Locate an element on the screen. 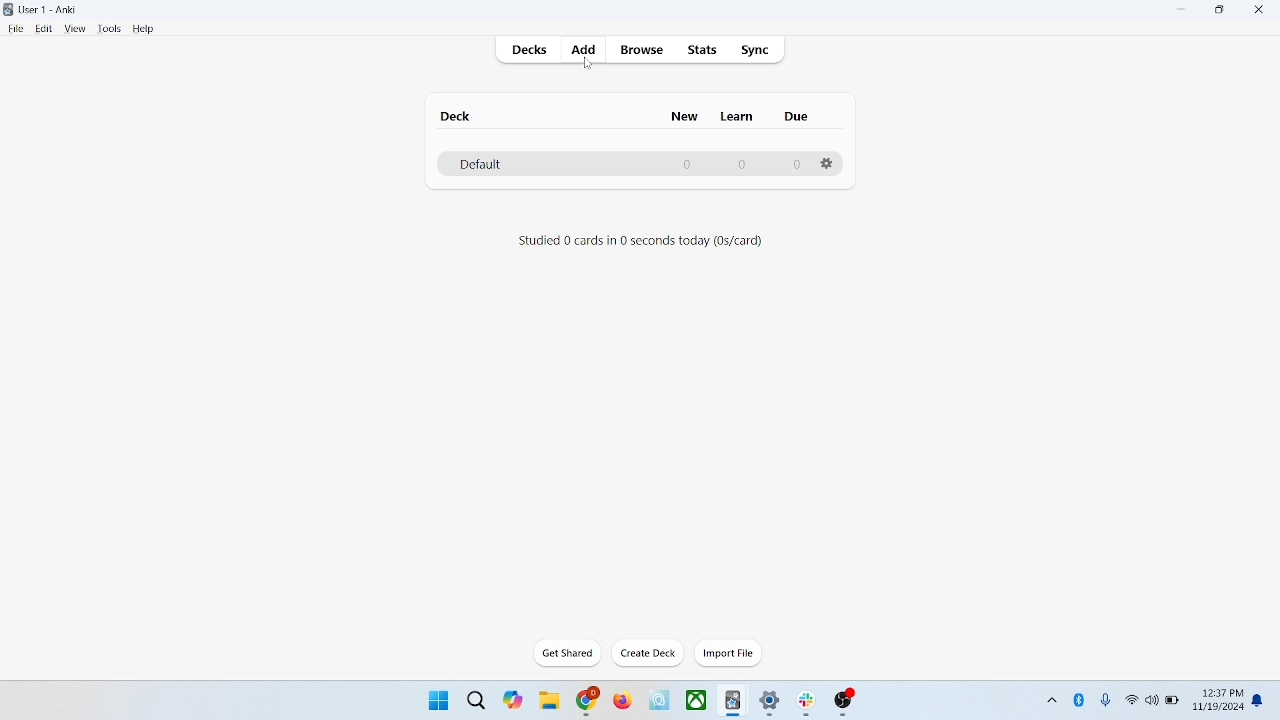 This screenshot has width=1280, height=720. 12:37 PM is located at coordinates (1221, 693).